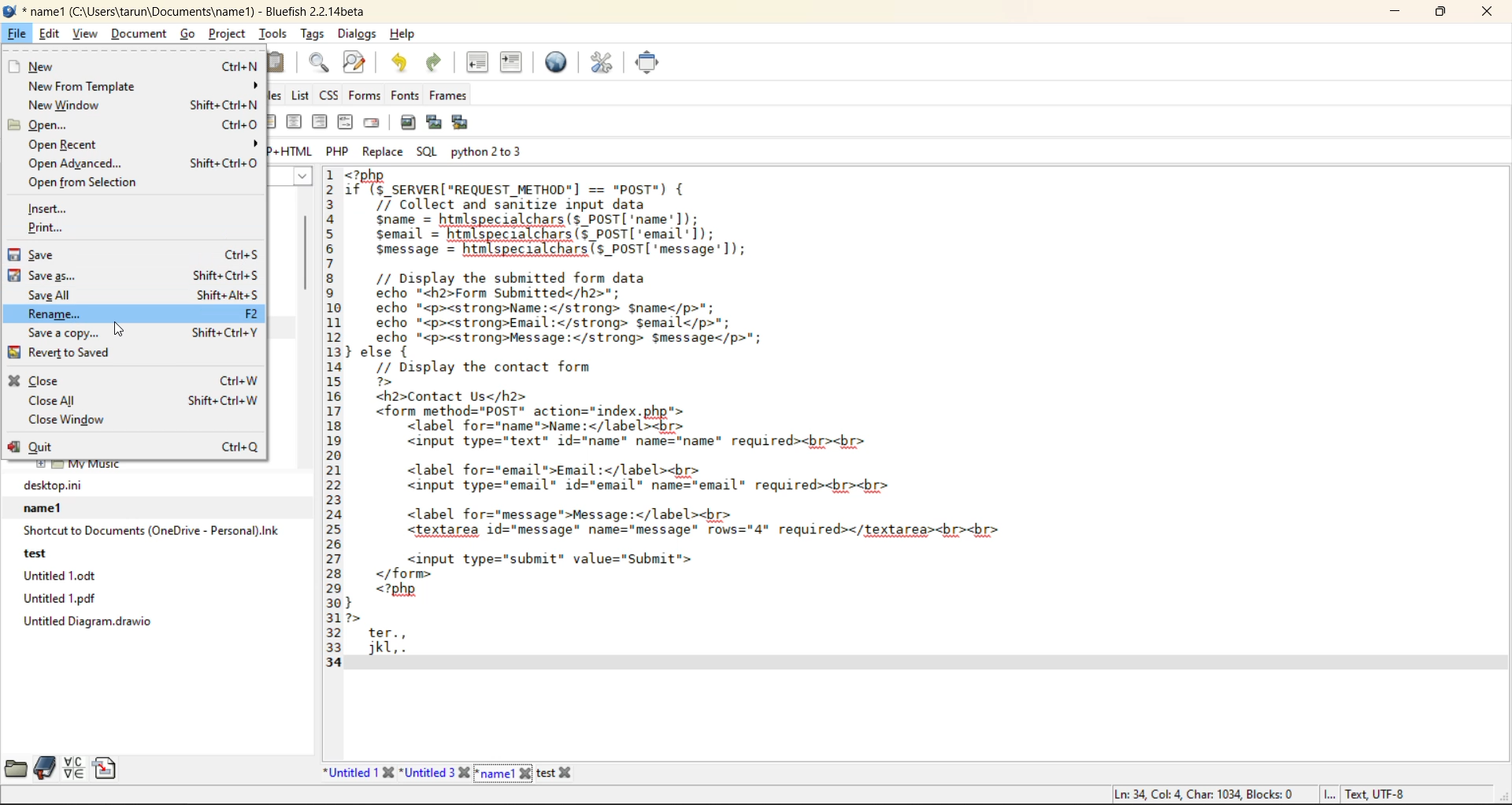 The height and width of the screenshot is (805, 1512). I want to click on list, so click(302, 96).